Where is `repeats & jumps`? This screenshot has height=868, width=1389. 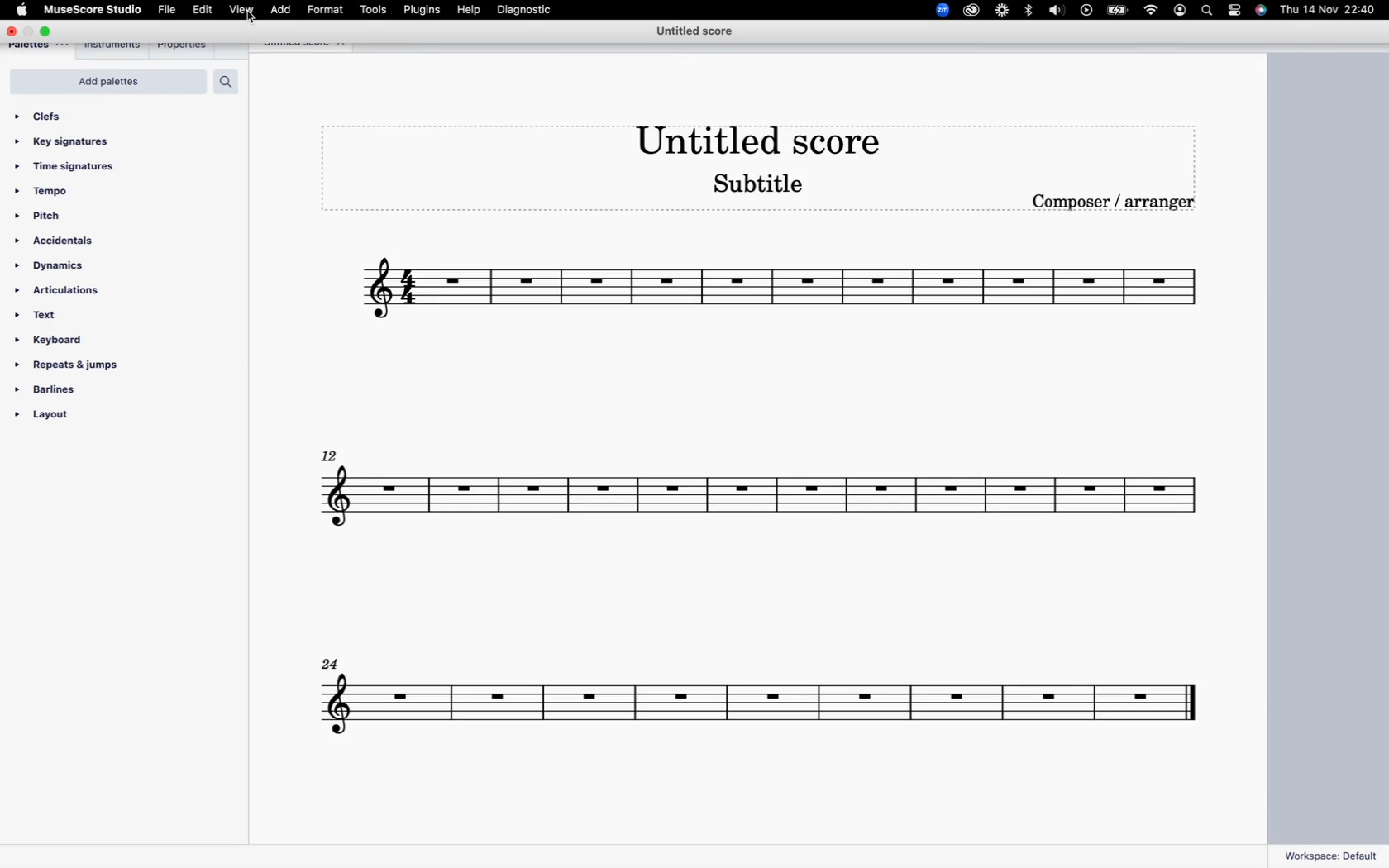 repeats & jumps is located at coordinates (70, 365).